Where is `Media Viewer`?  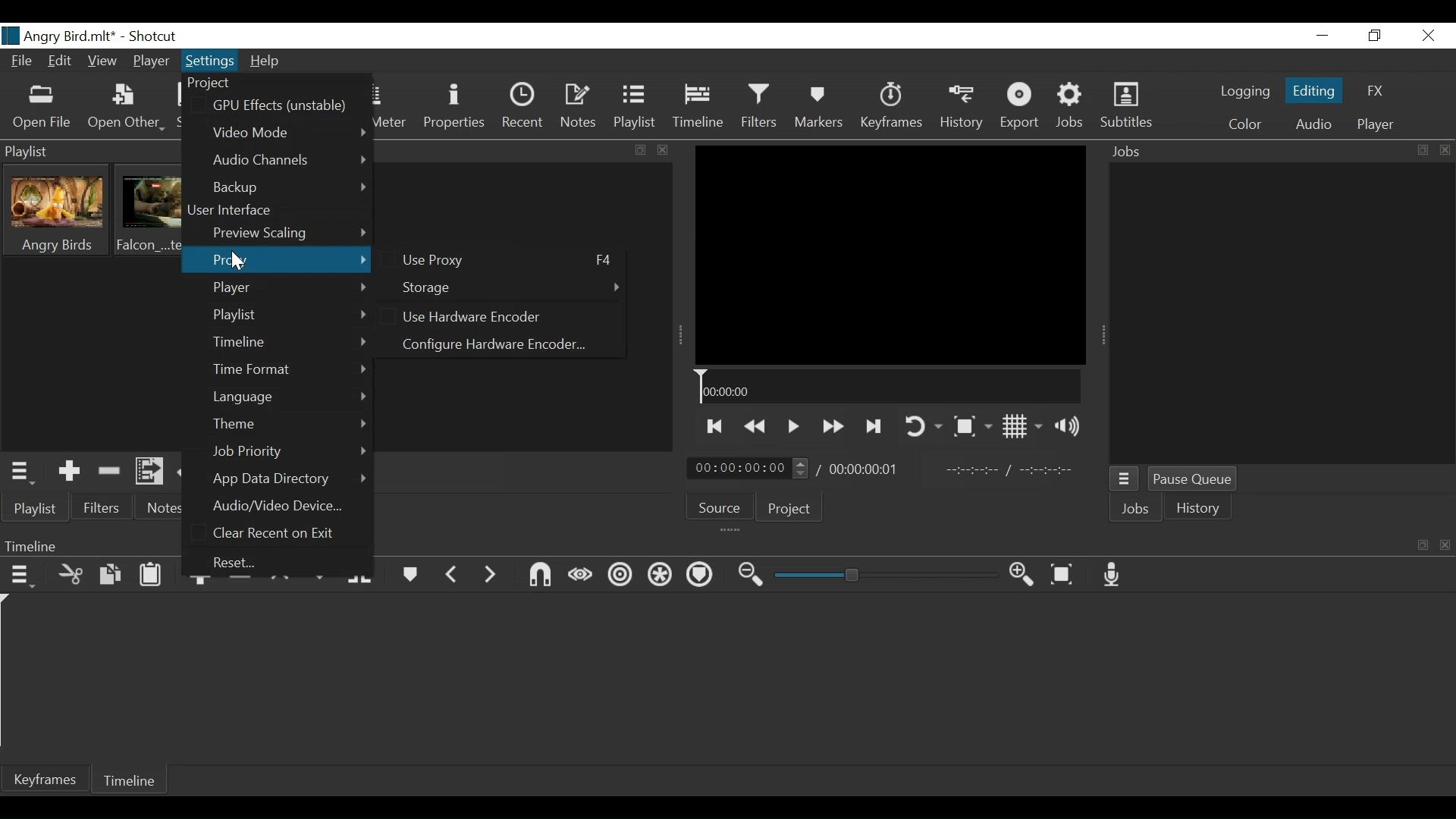
Media Viewer is located at coordinates (890, 255).